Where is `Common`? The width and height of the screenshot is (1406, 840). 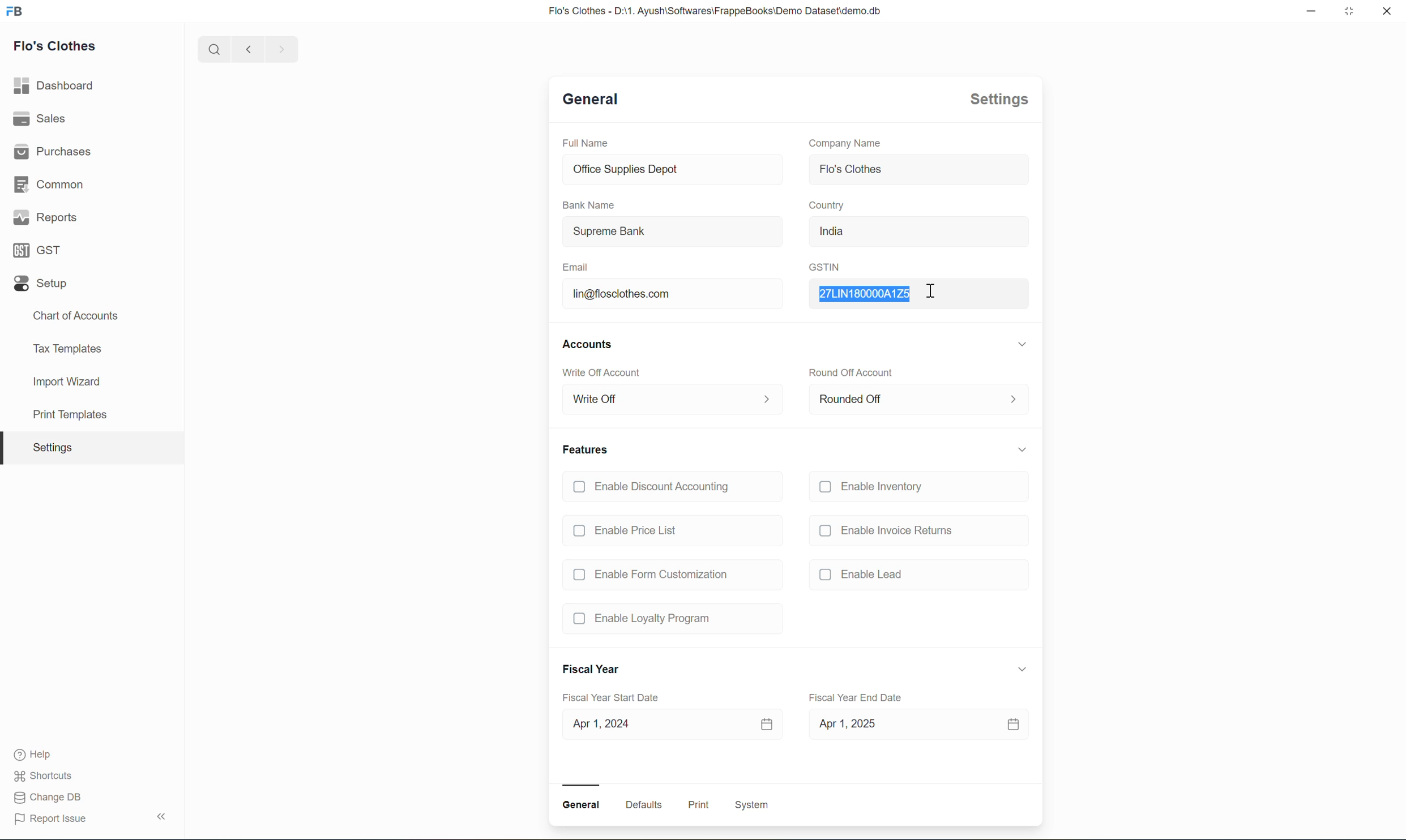 Common is located at coordinates (49, 184).